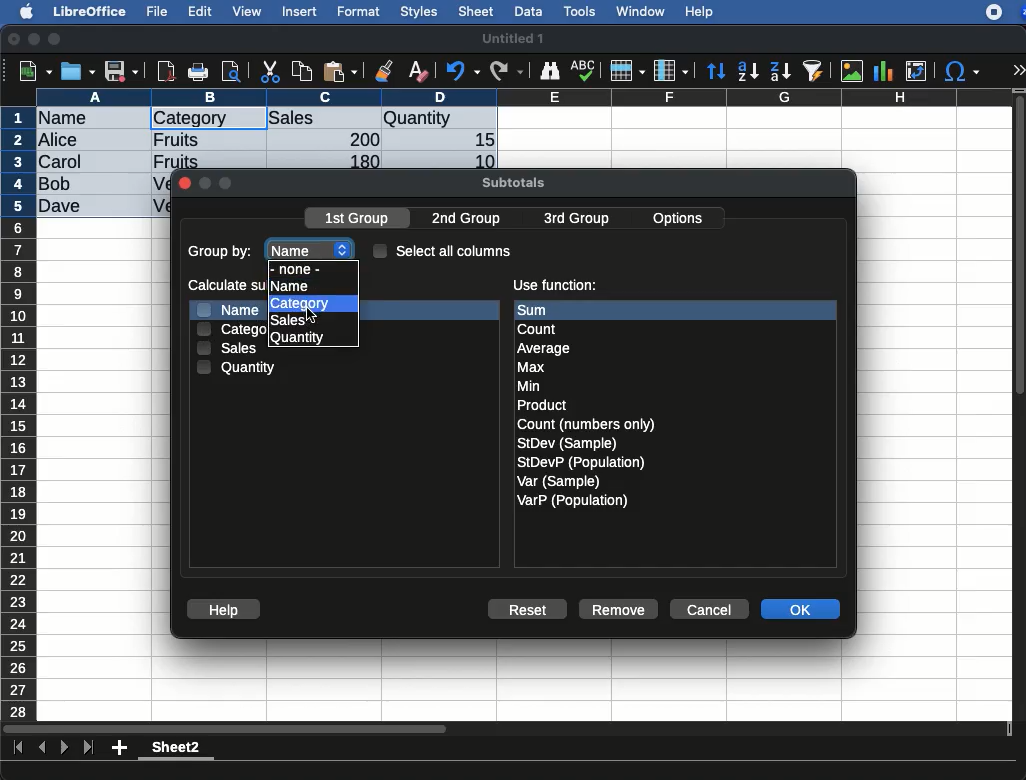 Image resolution: width=1026 pixels, height=780 pixels. What do you see at coordinates (15, 41) in the screenshot?
I see `close` at bounding box center [15, 41].